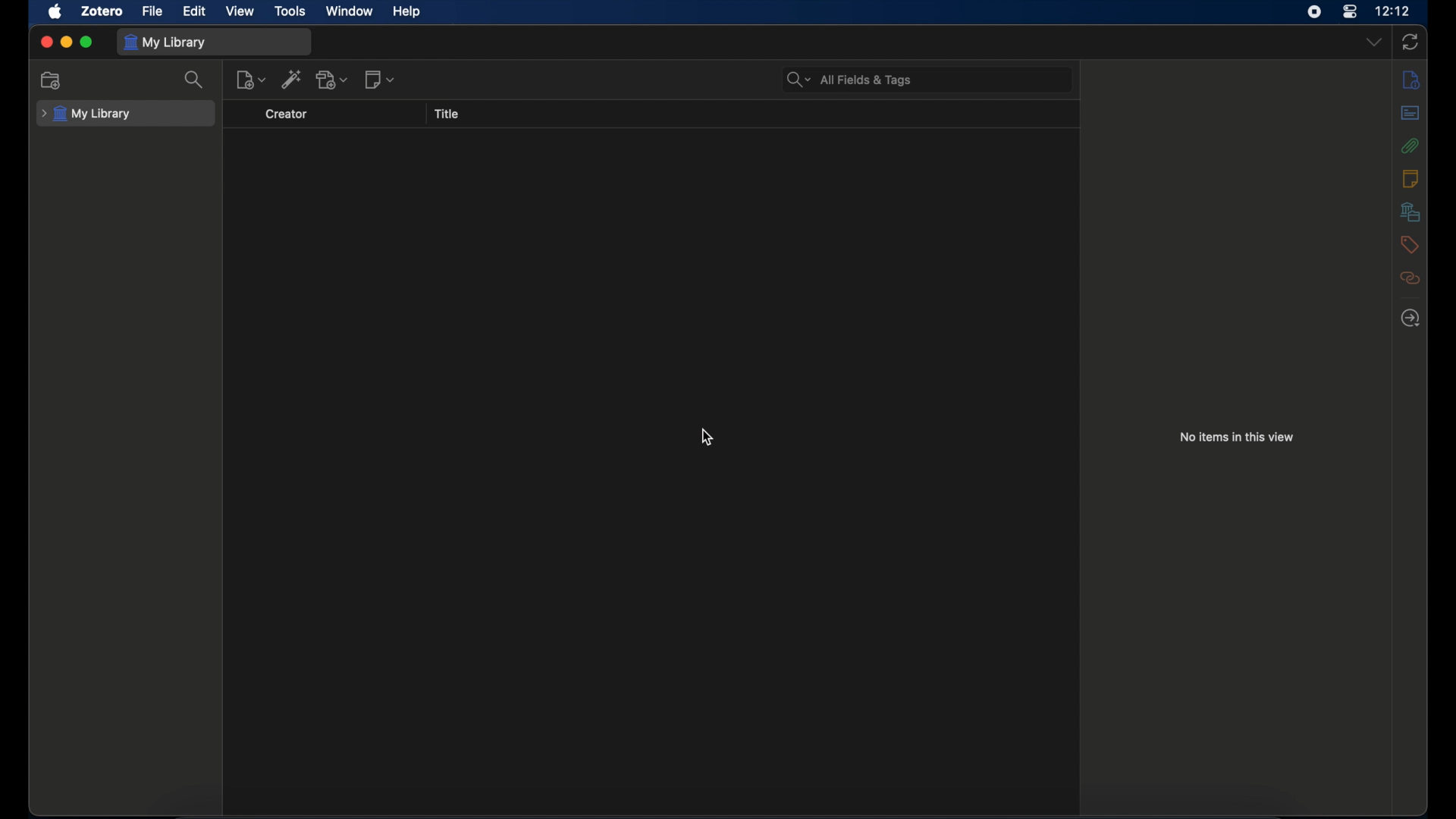 Image resolution: width=1456 pixels, height=819 pixels. What do you see at coordinates (349, 11) in the screenshot?
I see `window` at bounding box center [349, 11].